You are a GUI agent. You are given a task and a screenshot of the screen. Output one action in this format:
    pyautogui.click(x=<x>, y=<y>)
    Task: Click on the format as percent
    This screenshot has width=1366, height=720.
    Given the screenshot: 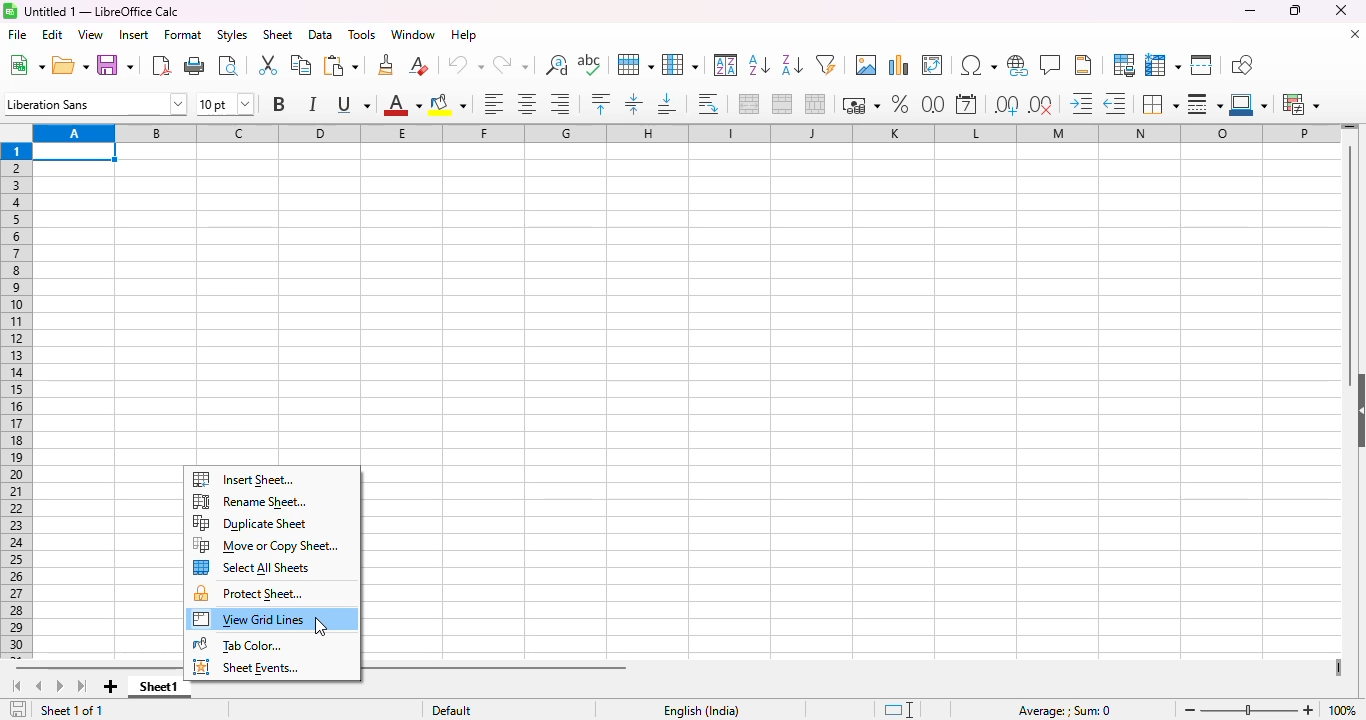 What is the action you would take?
    pyautogui.click(x=901, y=102)
    